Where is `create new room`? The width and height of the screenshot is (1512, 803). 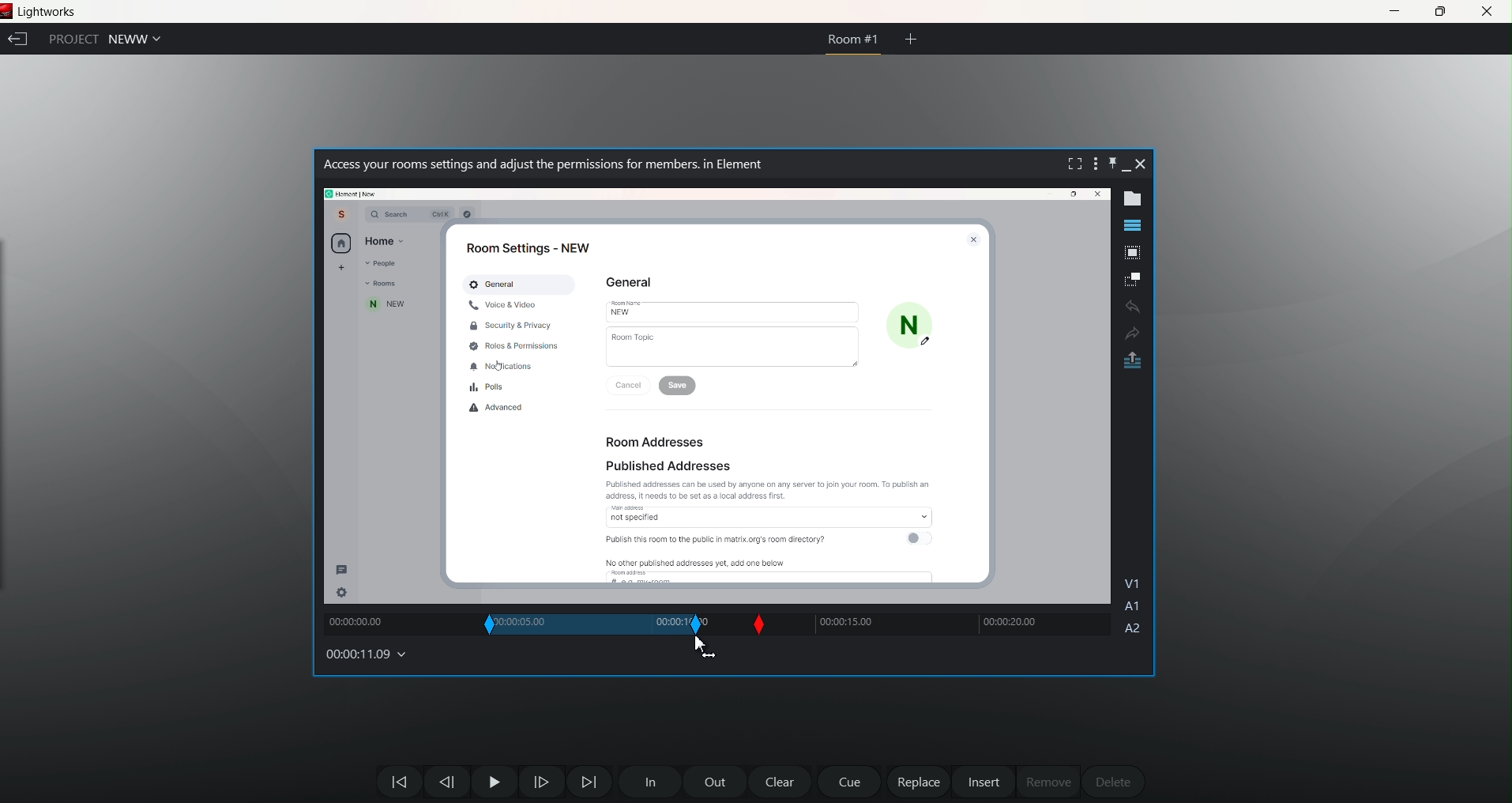
create new room is located at coordinates (911, 37).